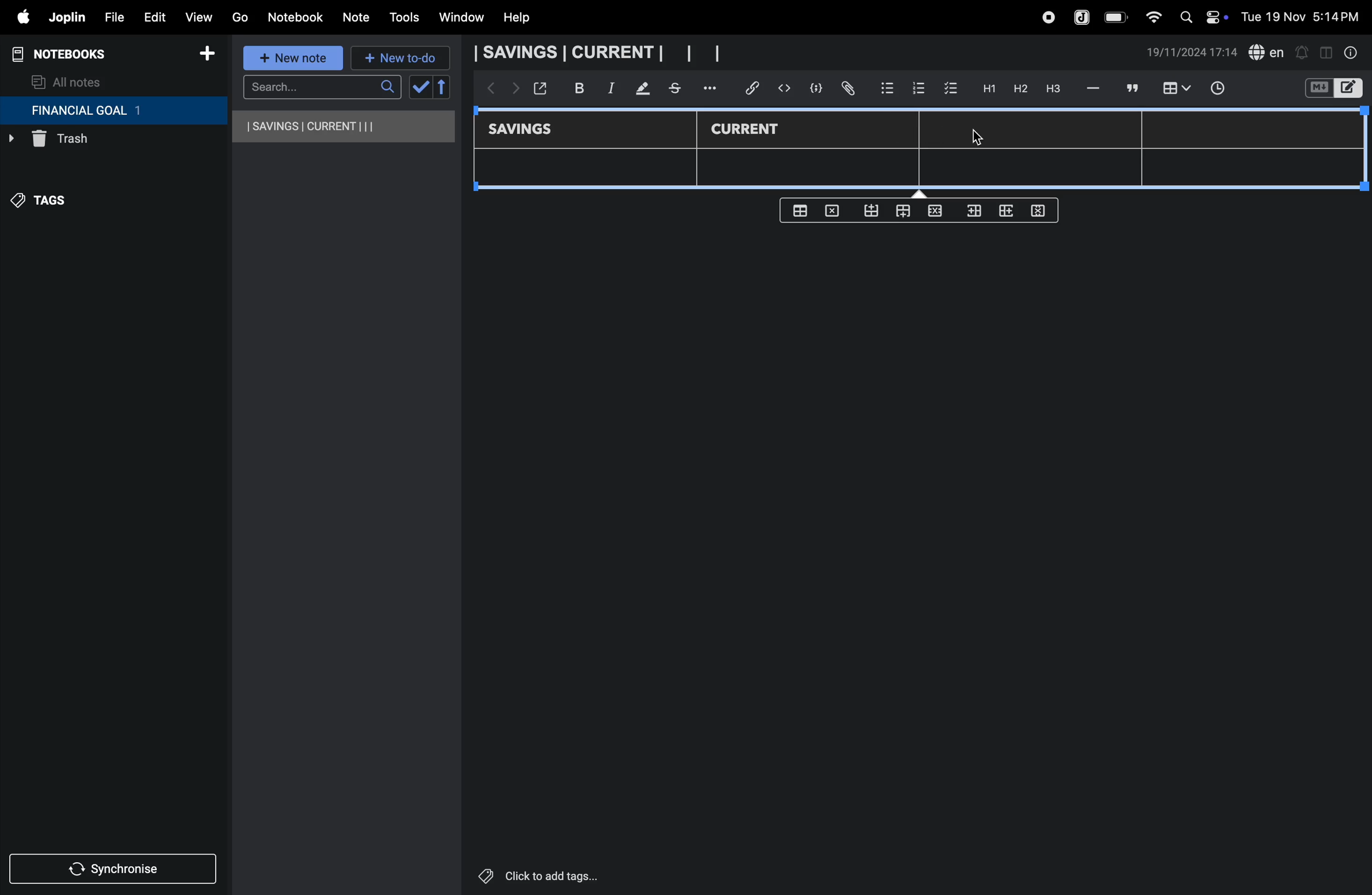 The width and height of the screenshot is (1372, 895). Describe the element at coordinates (1150, 17) in the screenshot. I see `wifi` at that location.